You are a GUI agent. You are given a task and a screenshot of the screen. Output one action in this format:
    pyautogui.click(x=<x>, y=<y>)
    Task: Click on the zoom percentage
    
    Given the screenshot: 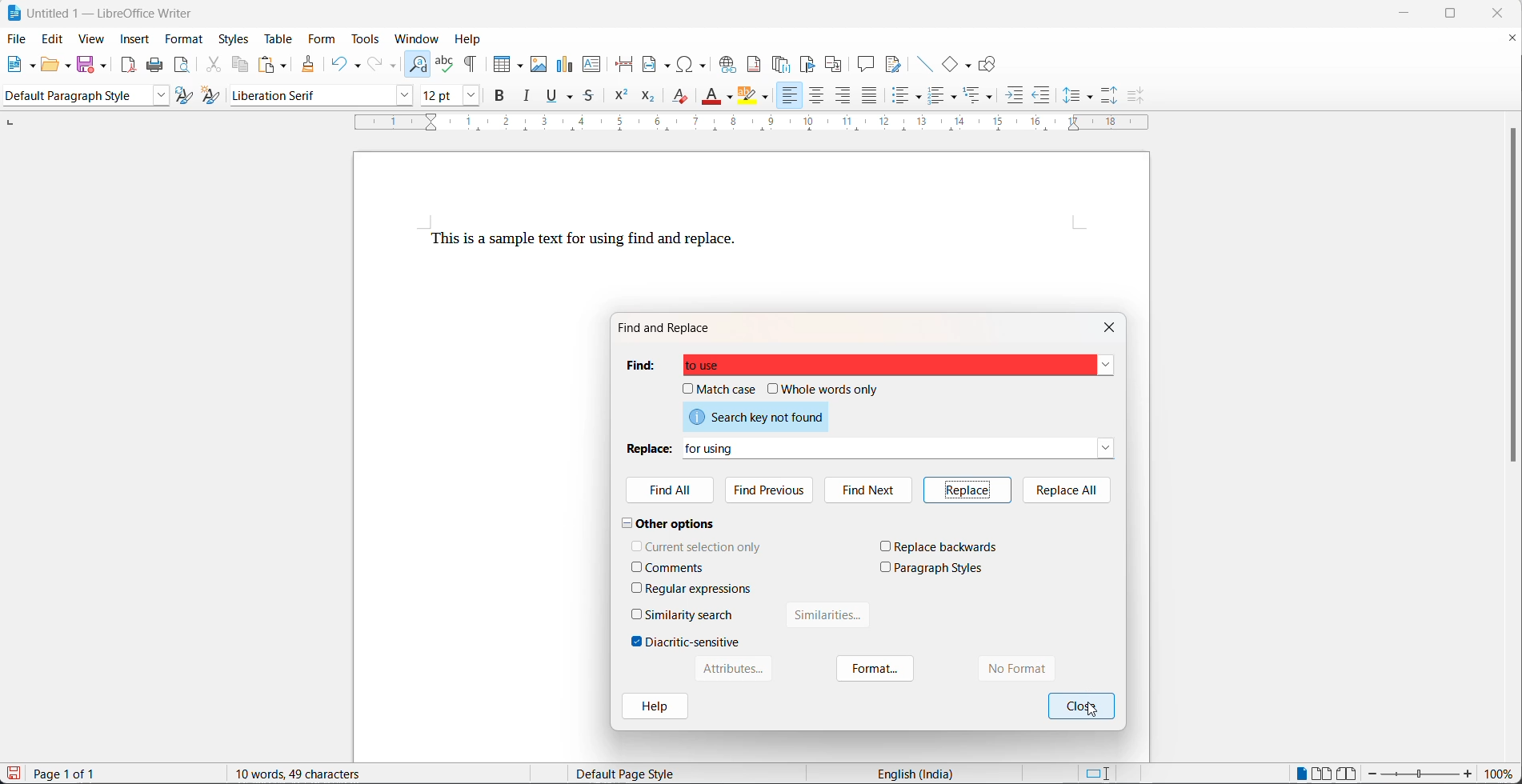 What is the action you would take?
    pyautogui.click(x=1502, y=774)
    